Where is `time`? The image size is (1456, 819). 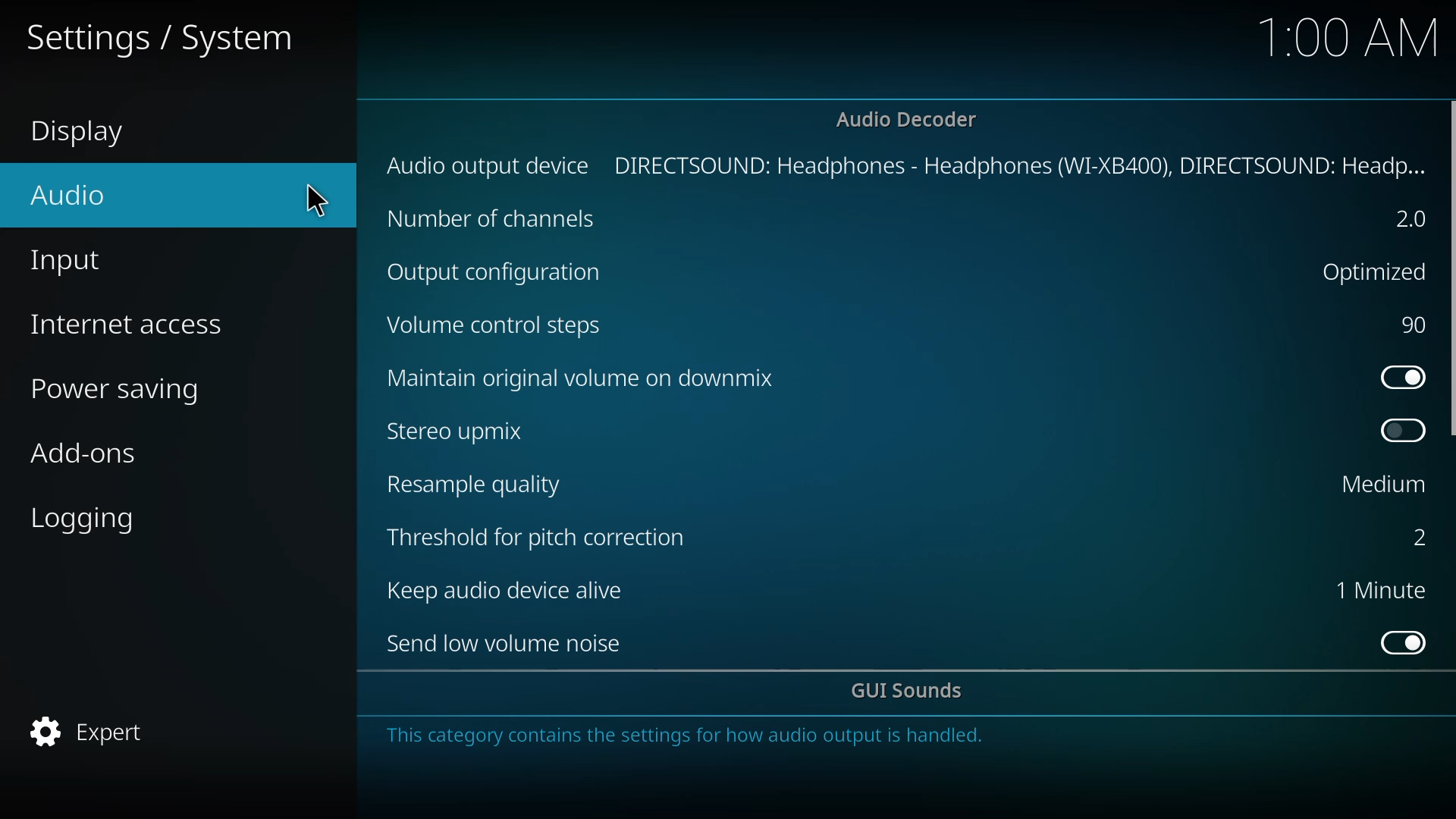
time is located at coordinates (1345, 38).